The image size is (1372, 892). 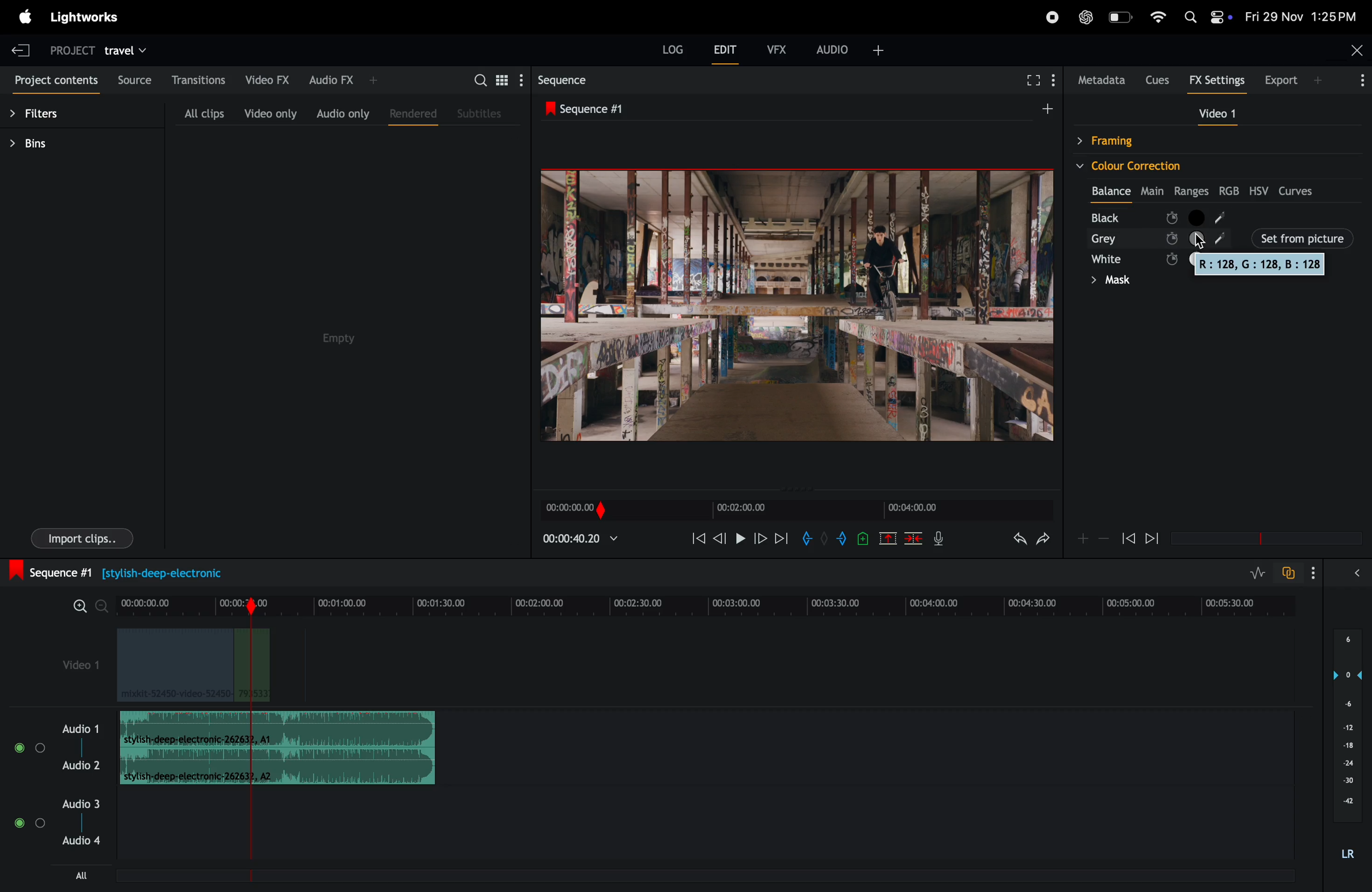 I want to click on grey, so click(x=1104, y=239).